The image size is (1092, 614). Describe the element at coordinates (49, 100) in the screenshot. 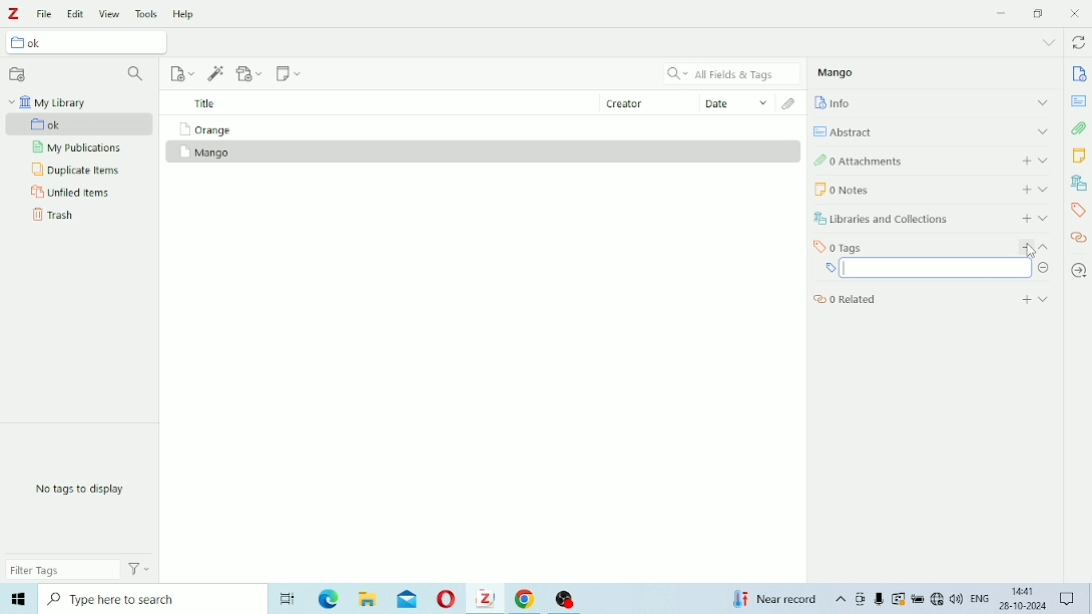

I see `My Library` at that location.